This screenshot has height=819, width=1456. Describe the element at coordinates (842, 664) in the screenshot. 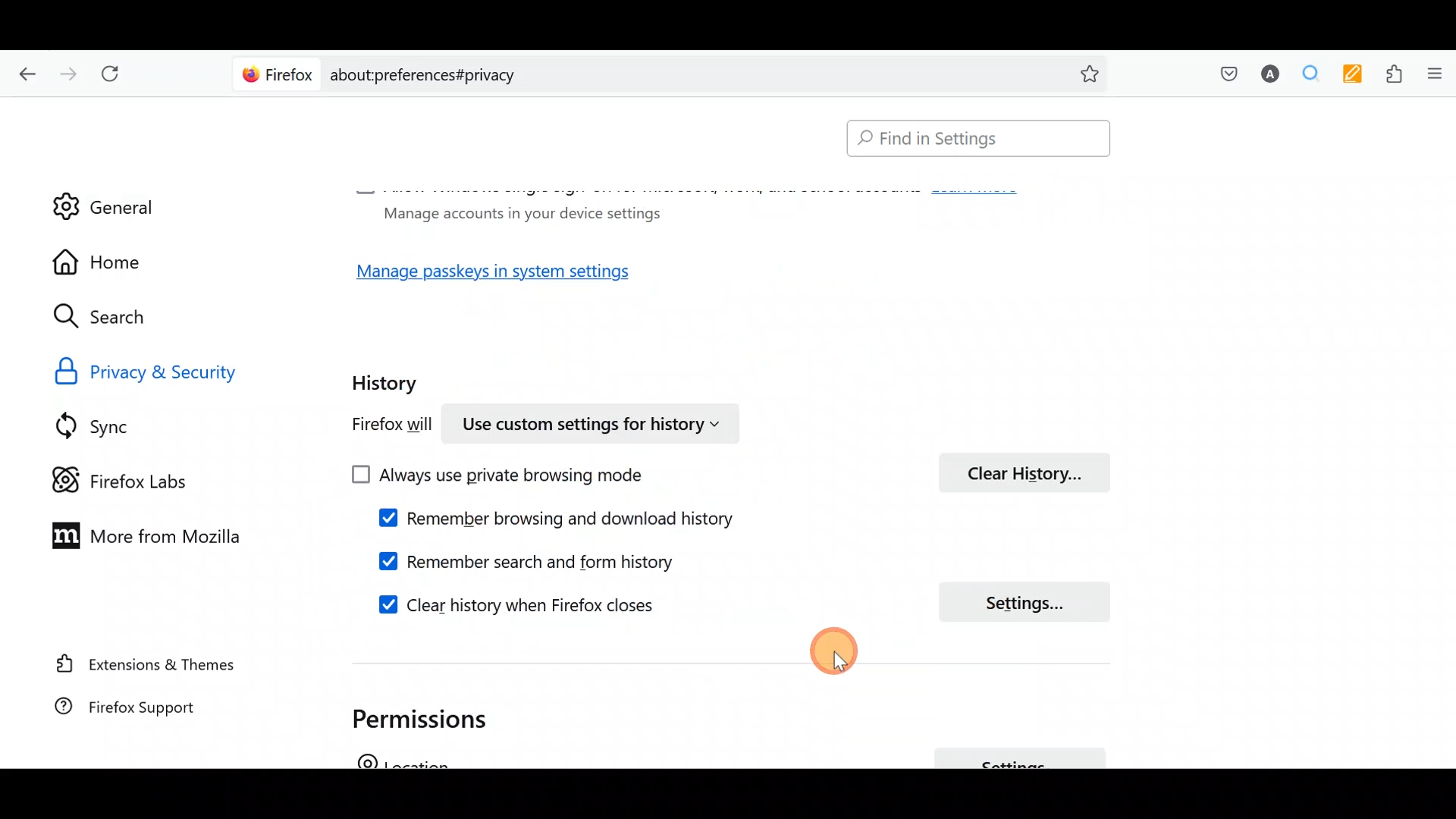

I see `cursor` at that location.